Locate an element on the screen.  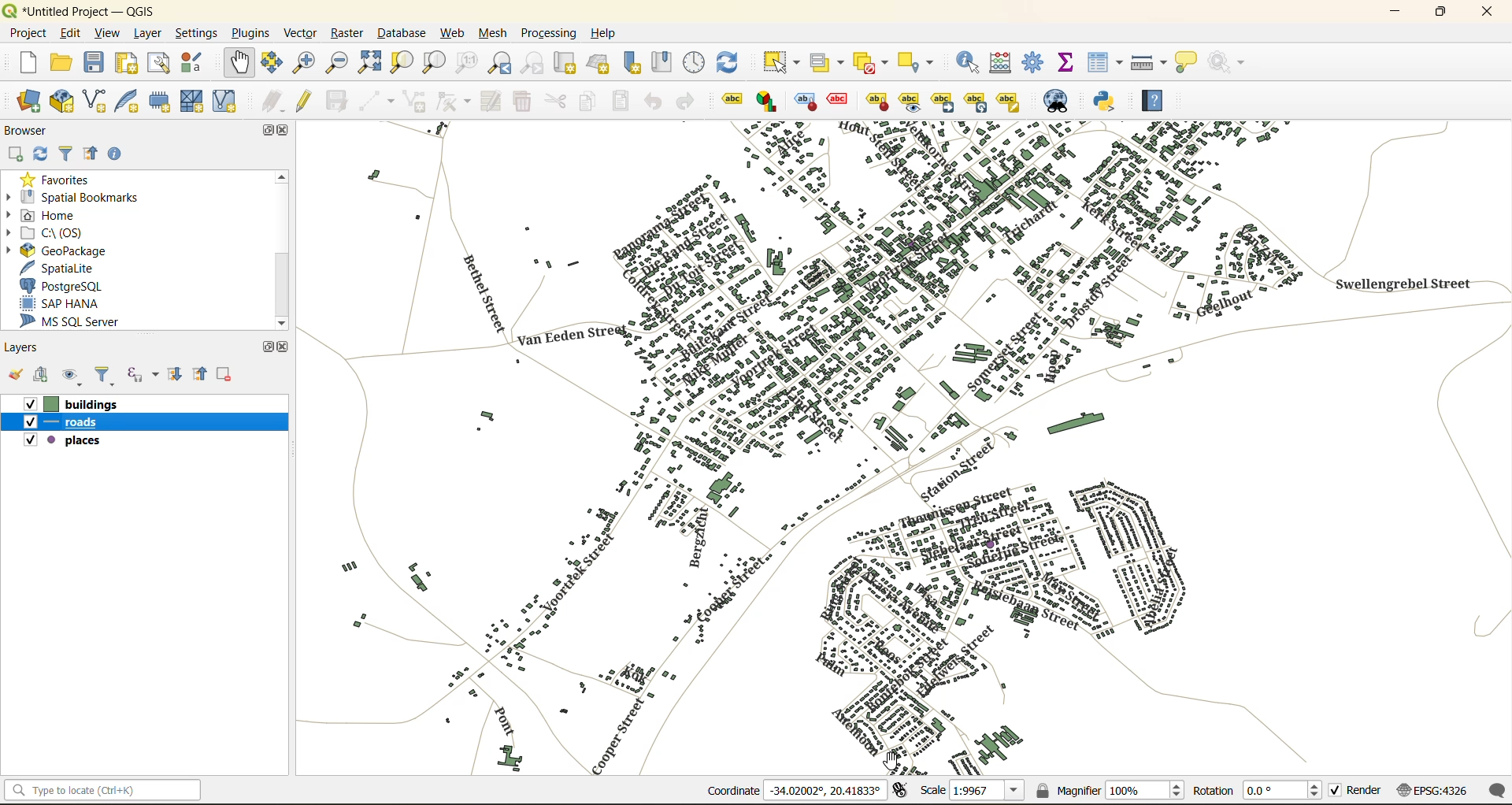
filter is located at coordinates (66, 154).